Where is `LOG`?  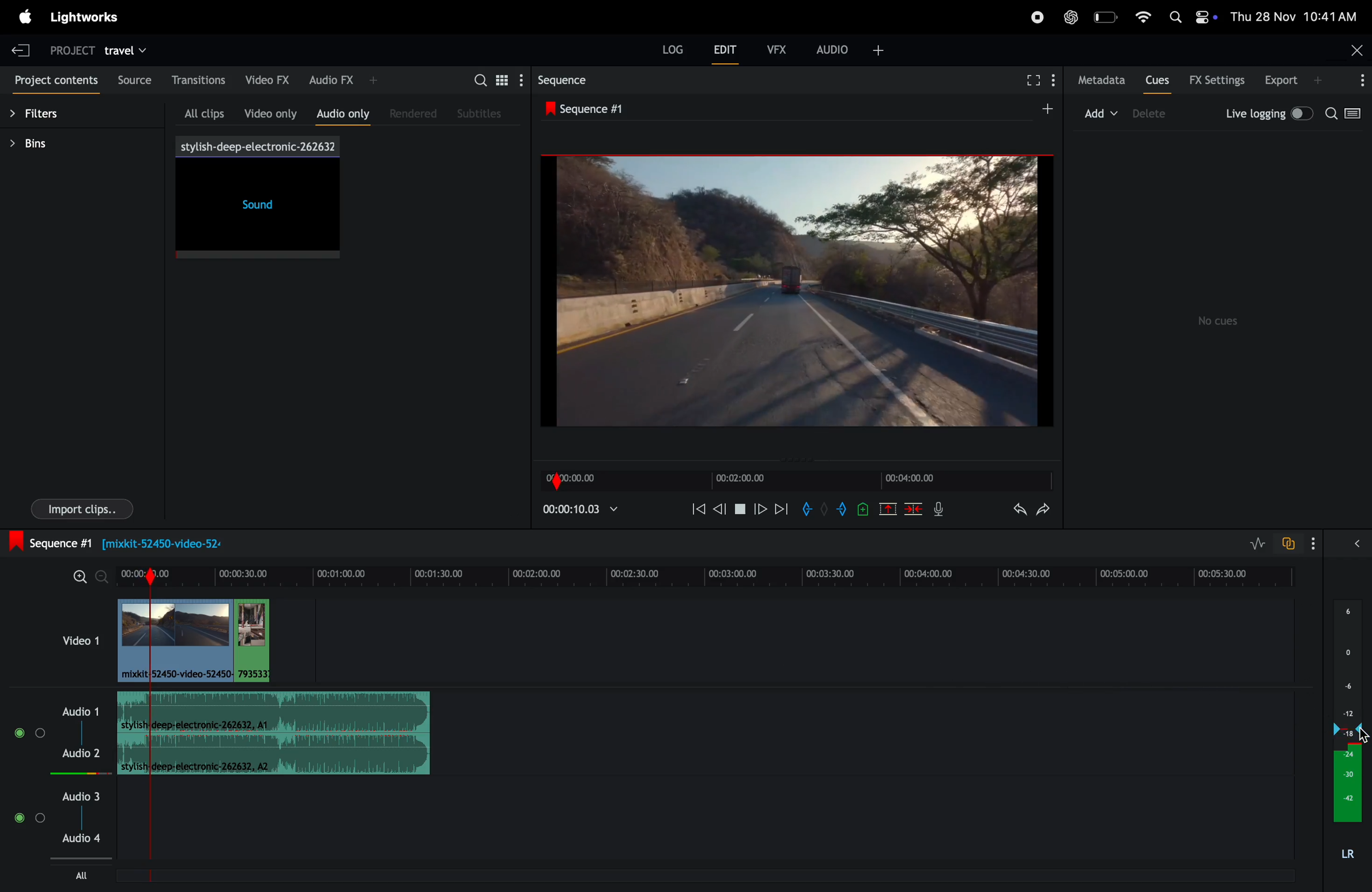 LOG is located at coordinates (673, 49).